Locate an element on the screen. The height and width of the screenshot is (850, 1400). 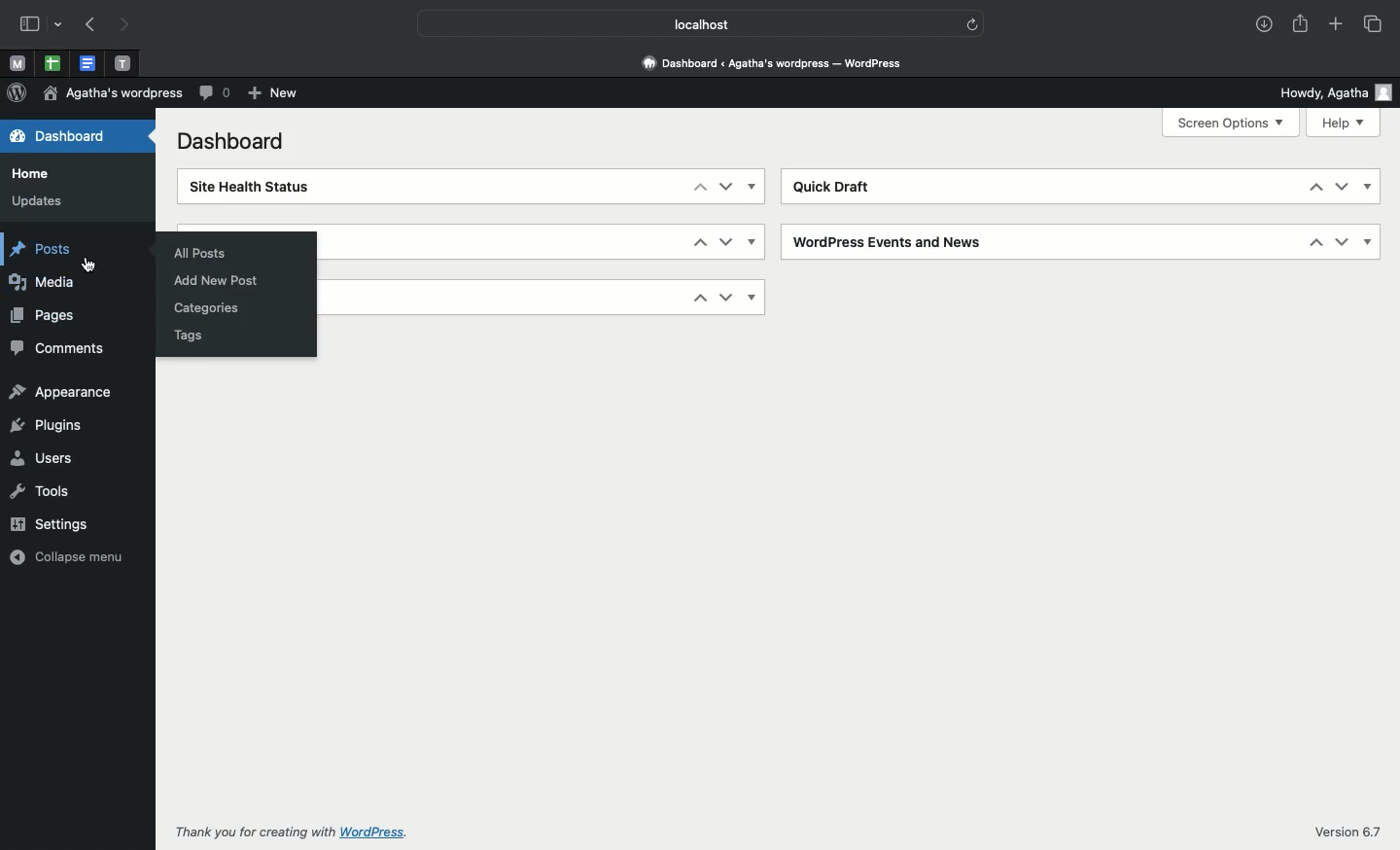
Sidebar is located at coordinates (28, 23).